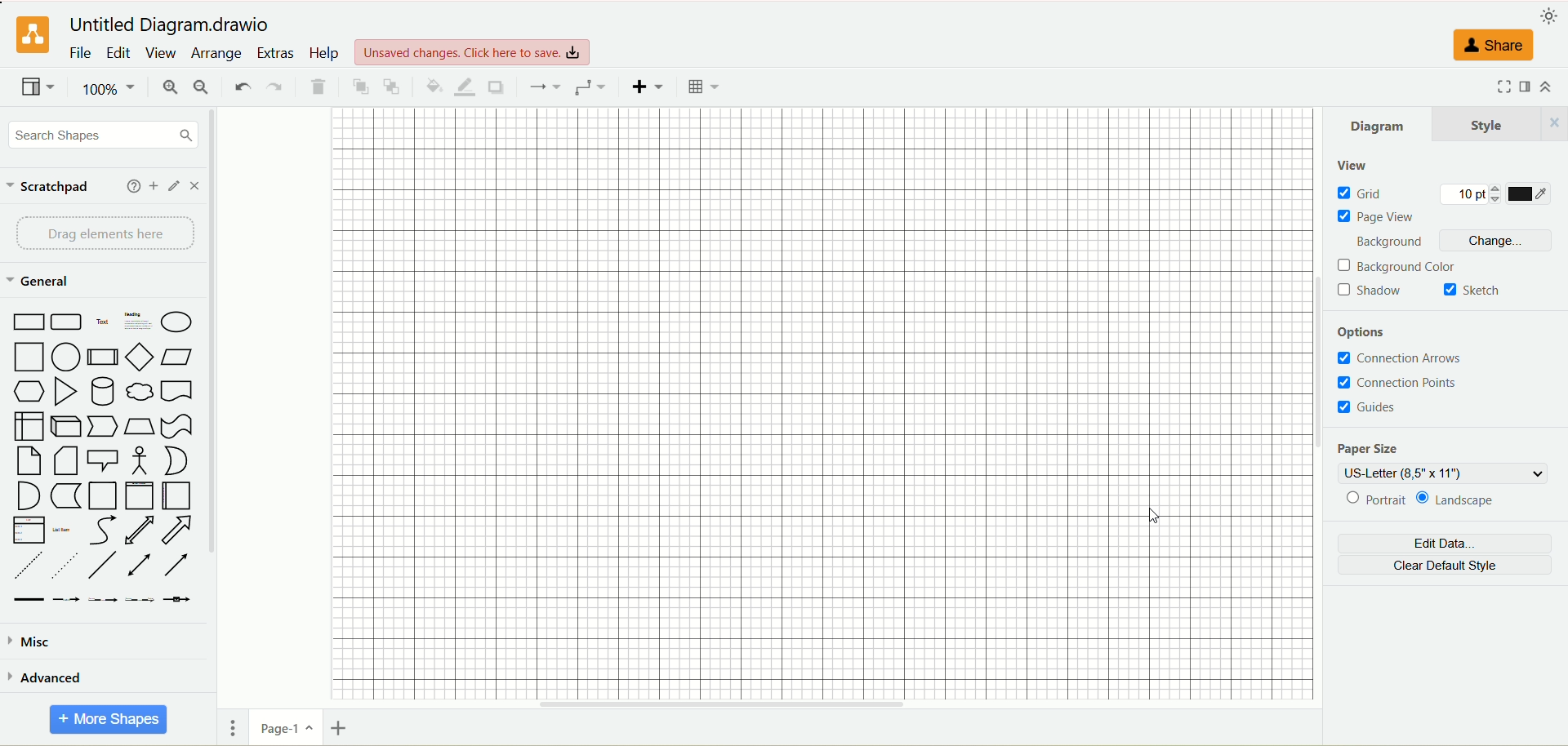 The image size is (1568, 746). What do you see at coordinates (592, 87) in the screenshot?
I see `waypoint` at bounding box center [592, 87].